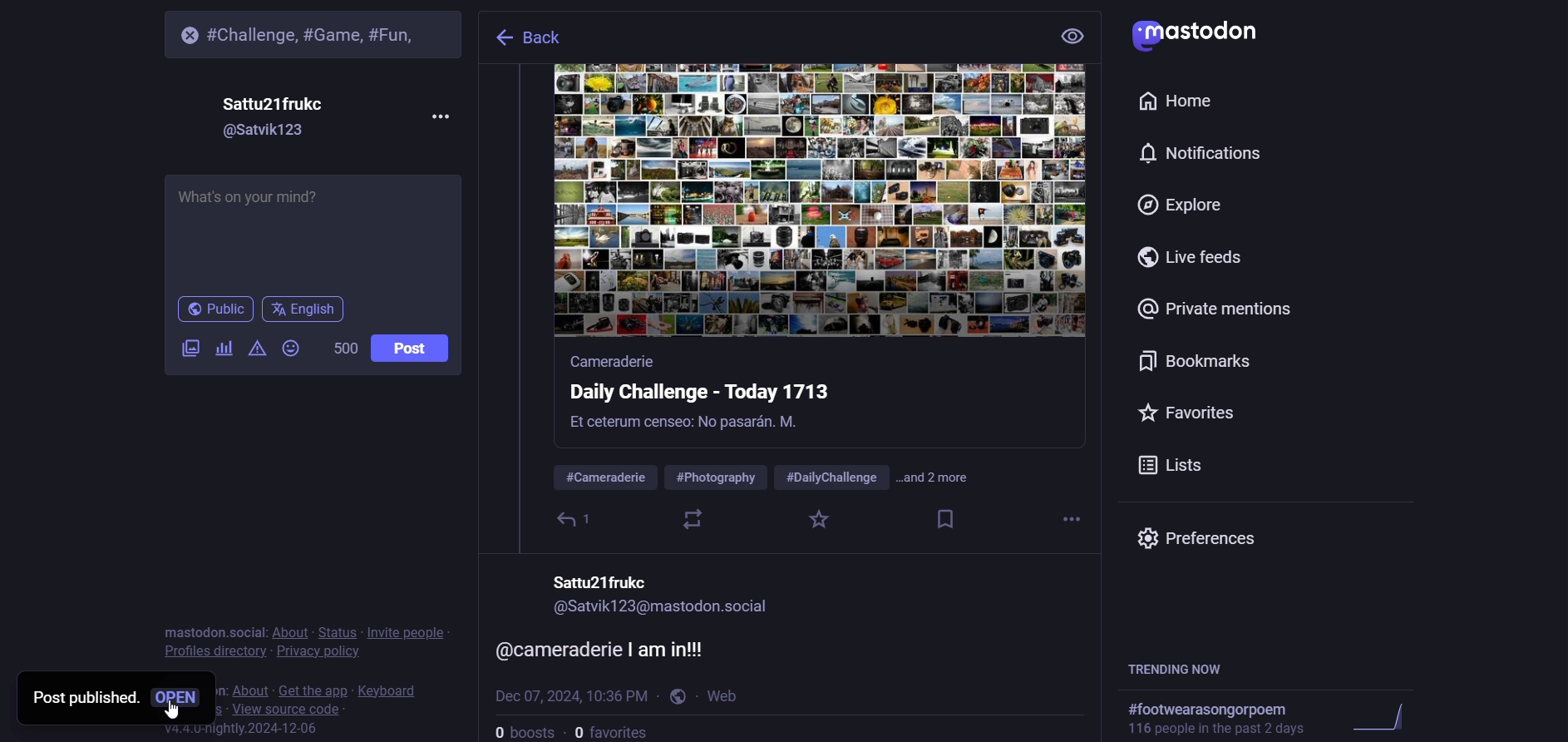  Describe the element at coordinates (1196, 258) in the screenshot. I see `live feed` at that location.